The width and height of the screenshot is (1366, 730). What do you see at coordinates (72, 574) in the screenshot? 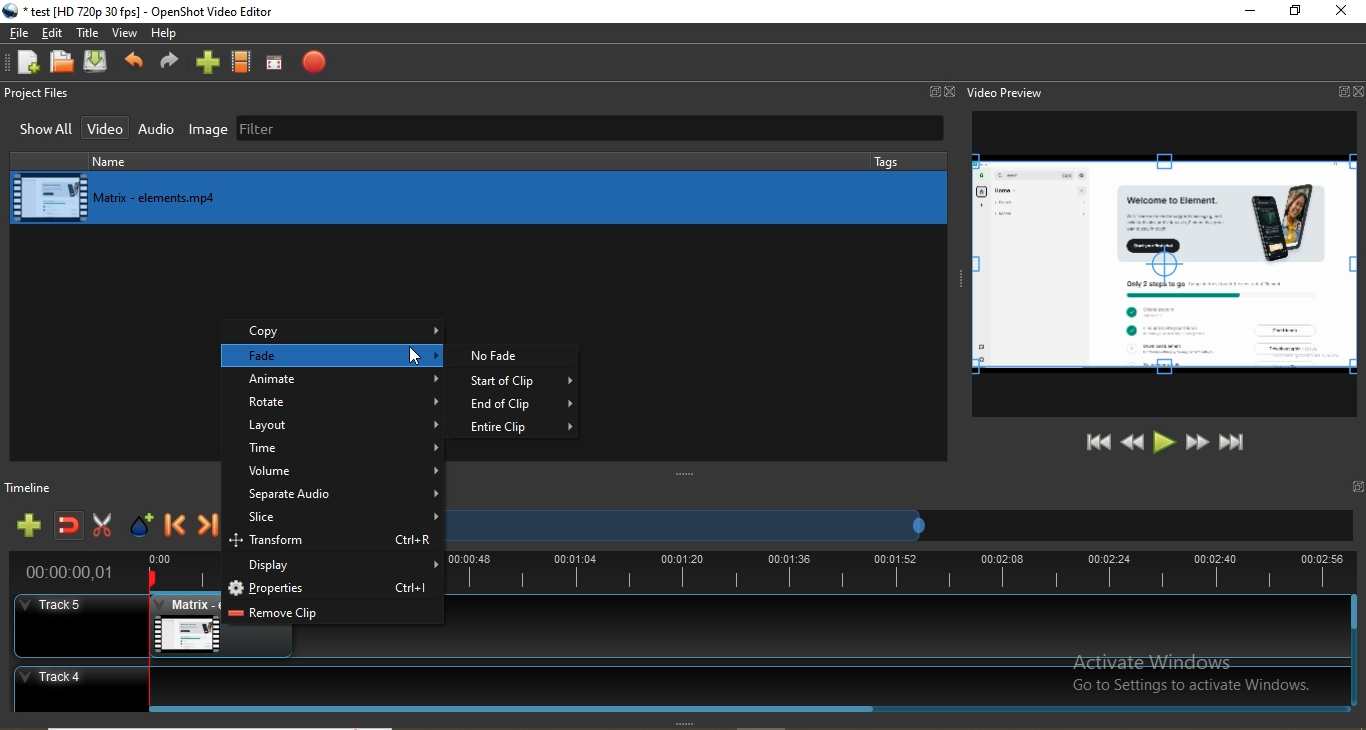
I see `time` at bounding box center [72, 574].